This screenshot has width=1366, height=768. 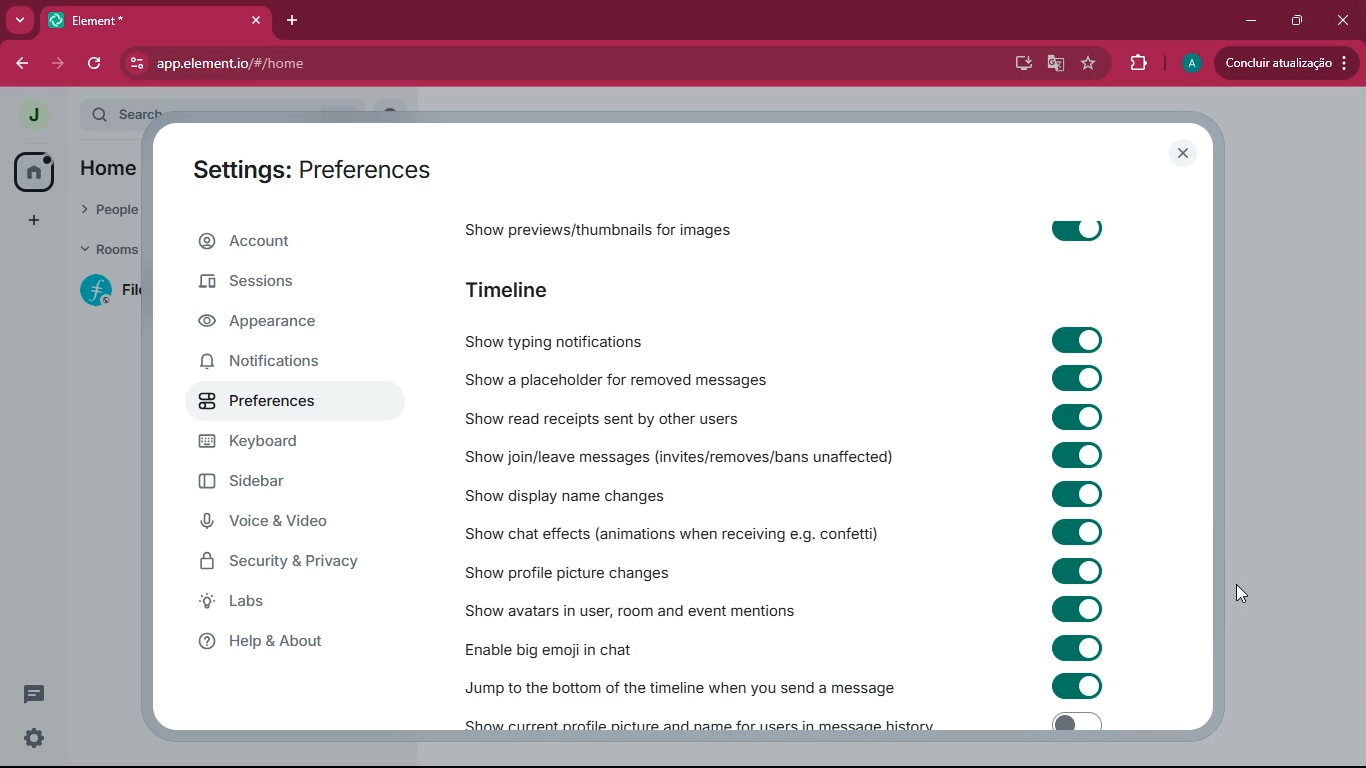 I want to click on show join / leave messages (invites/removes/ban unaffected), so click(x=680, y=457).